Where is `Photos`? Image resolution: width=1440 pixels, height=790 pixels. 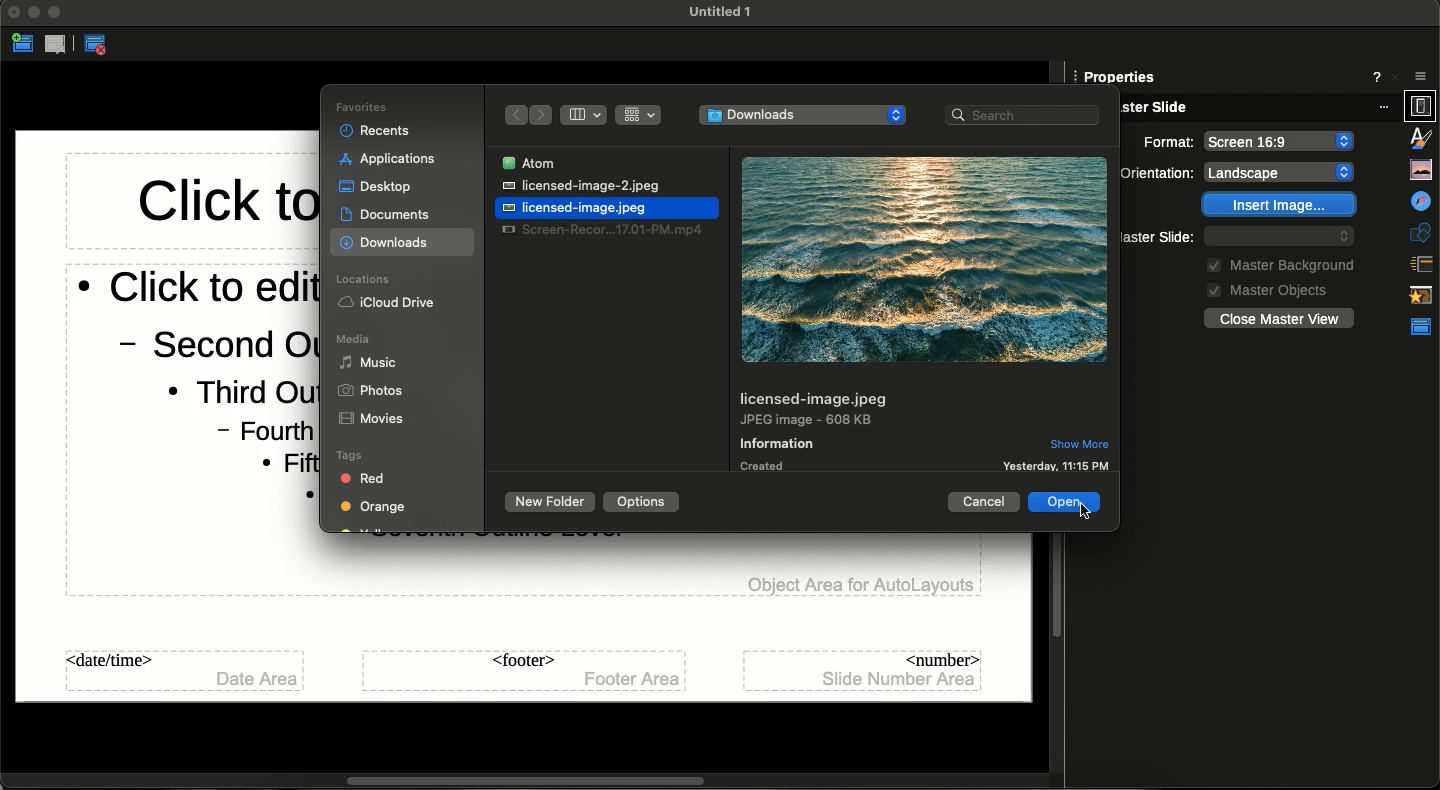
Photos is located at coordinates (366, 389).